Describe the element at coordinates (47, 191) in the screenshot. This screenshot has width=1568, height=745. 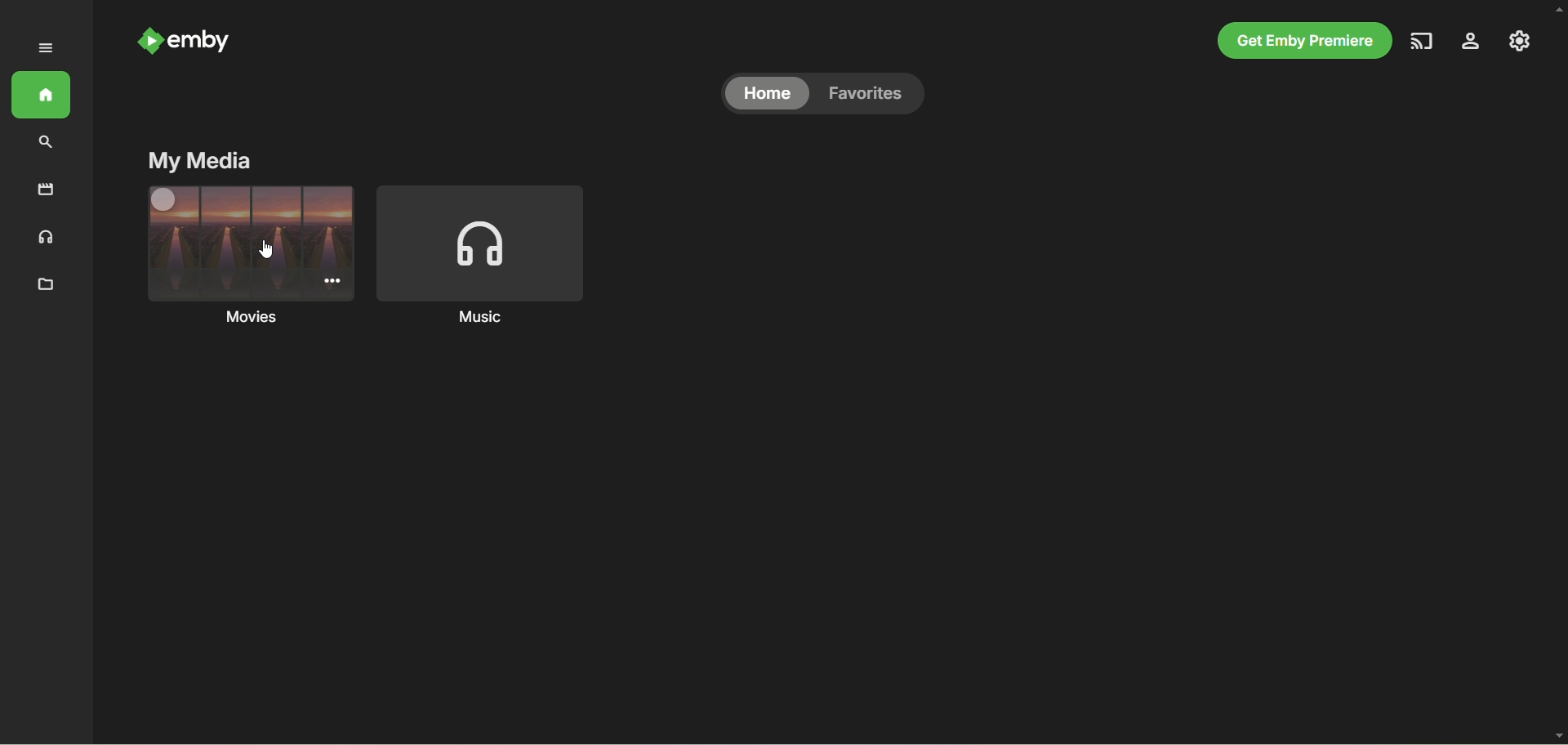
I see `movies` at that location.